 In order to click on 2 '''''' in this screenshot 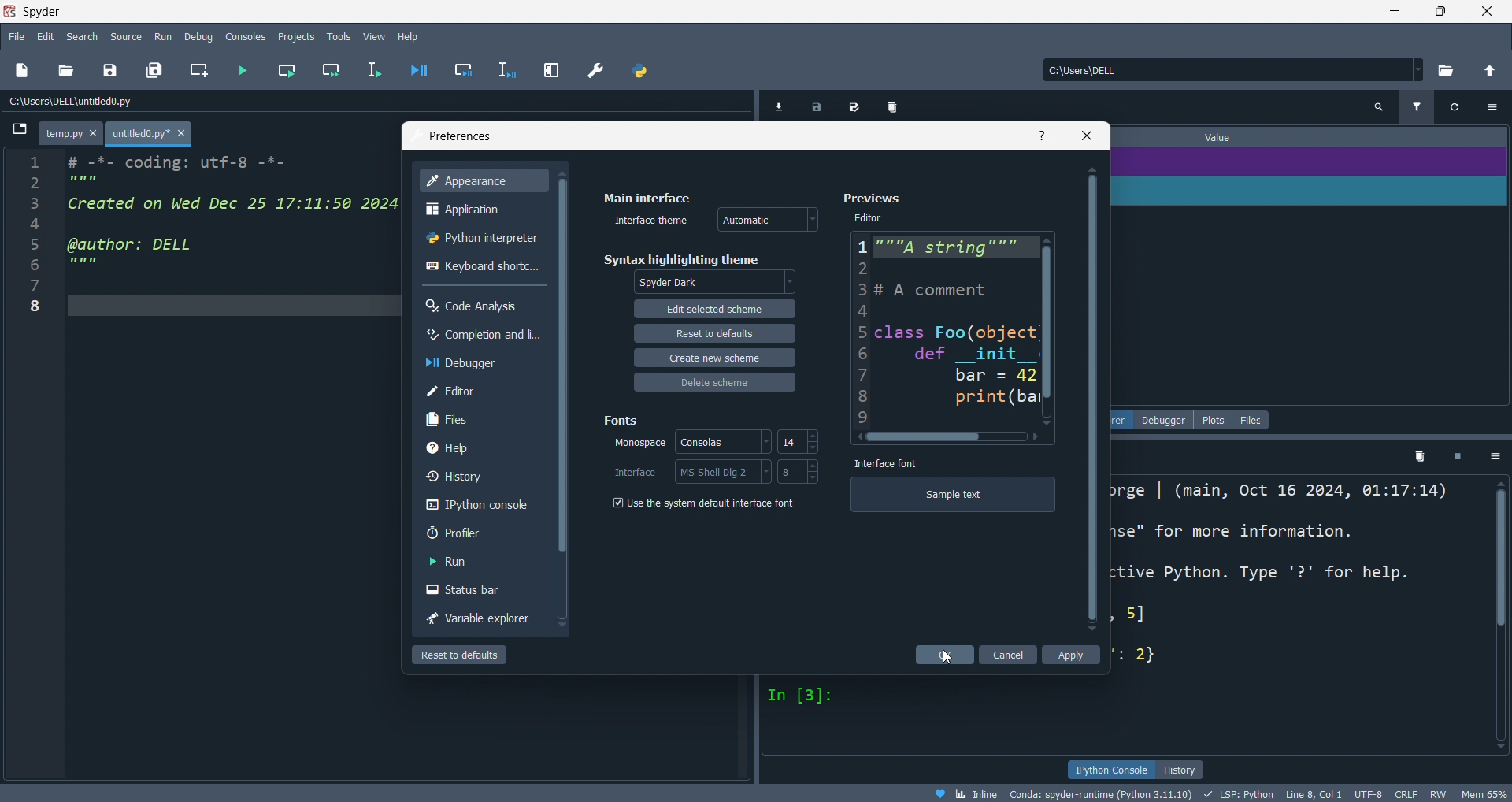, I will do `click(67, 183)`.